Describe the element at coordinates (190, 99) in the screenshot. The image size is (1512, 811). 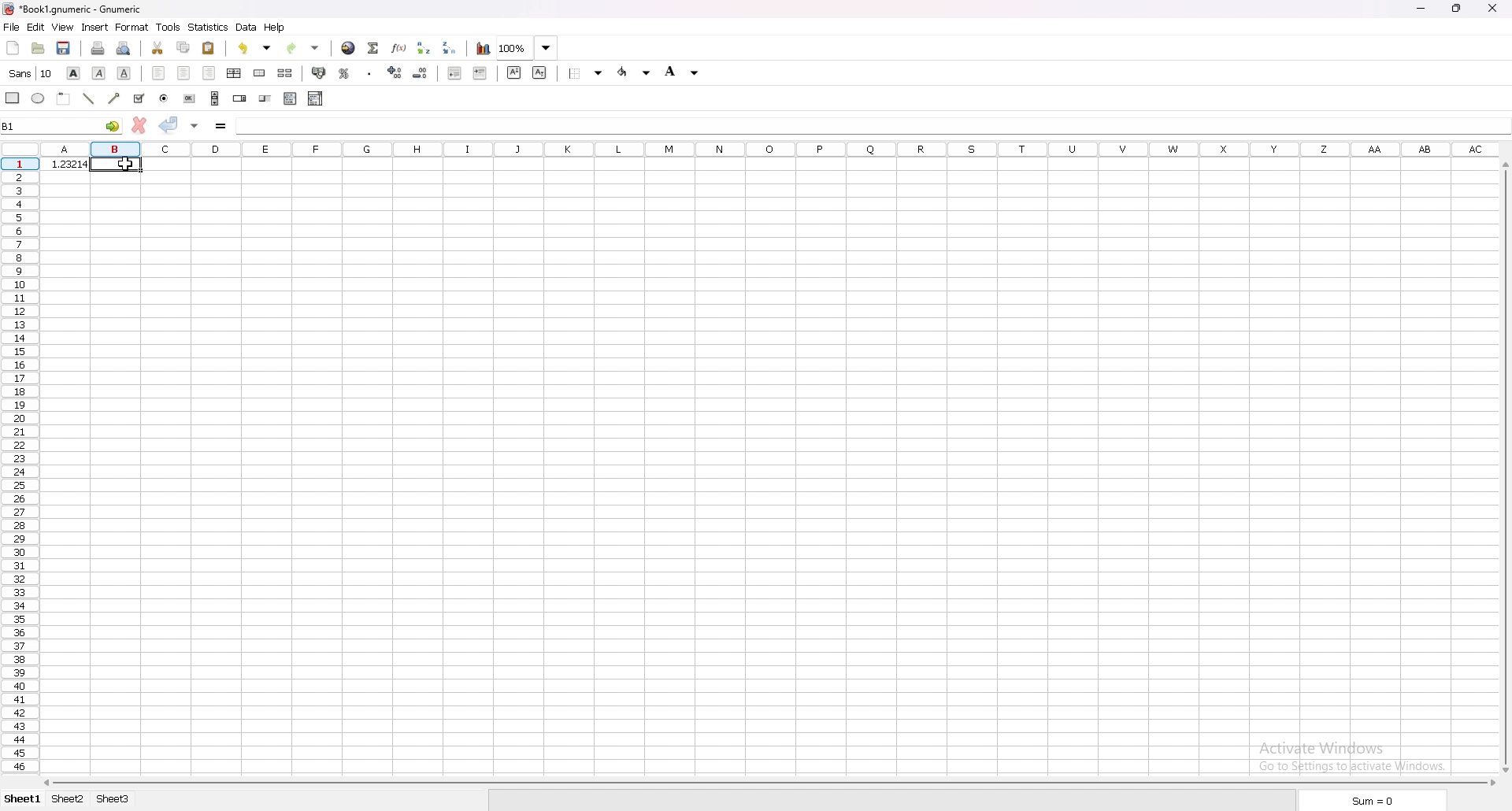
I see `button` at that location.